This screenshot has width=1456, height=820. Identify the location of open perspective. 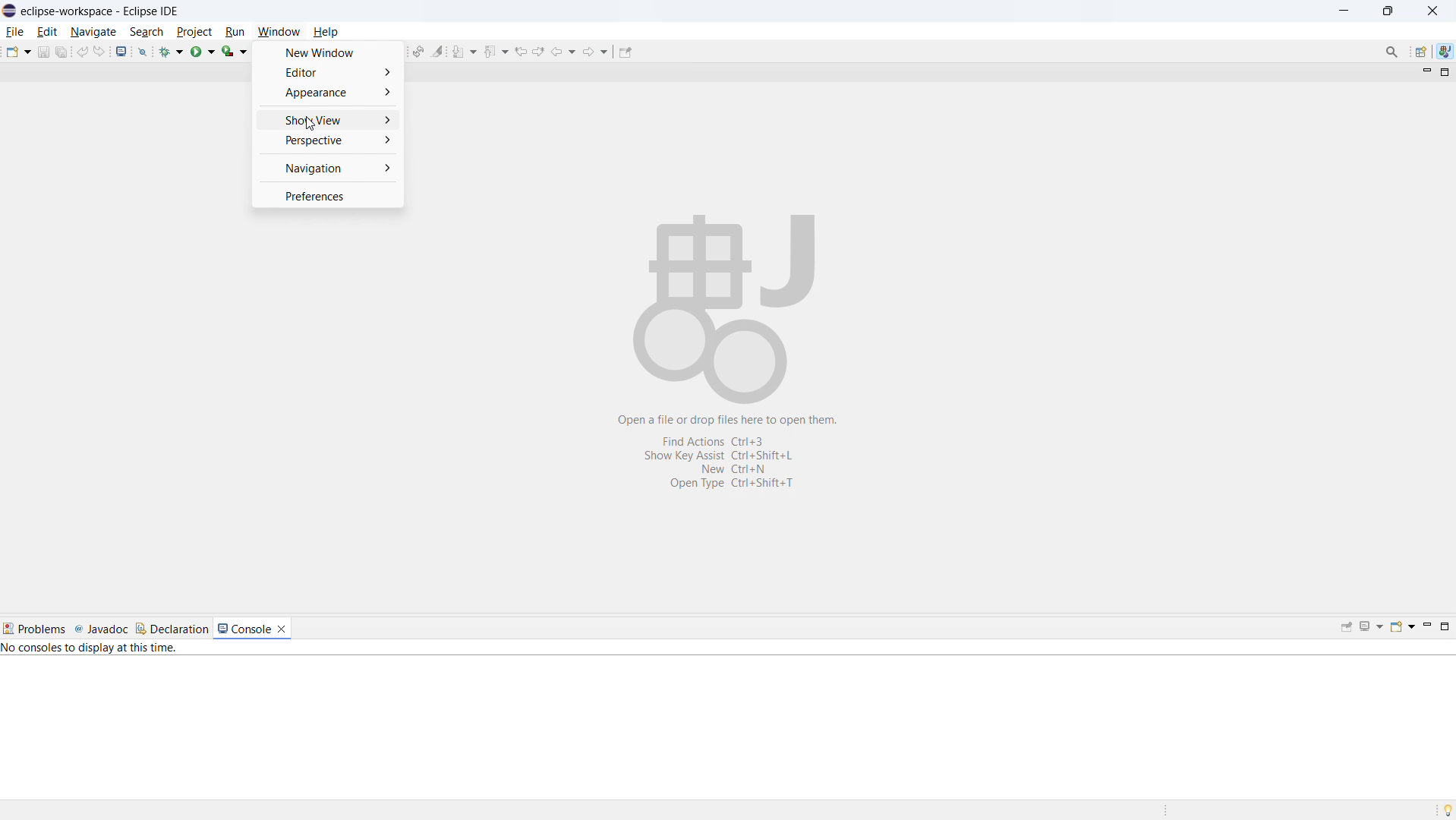
(1420, 52).